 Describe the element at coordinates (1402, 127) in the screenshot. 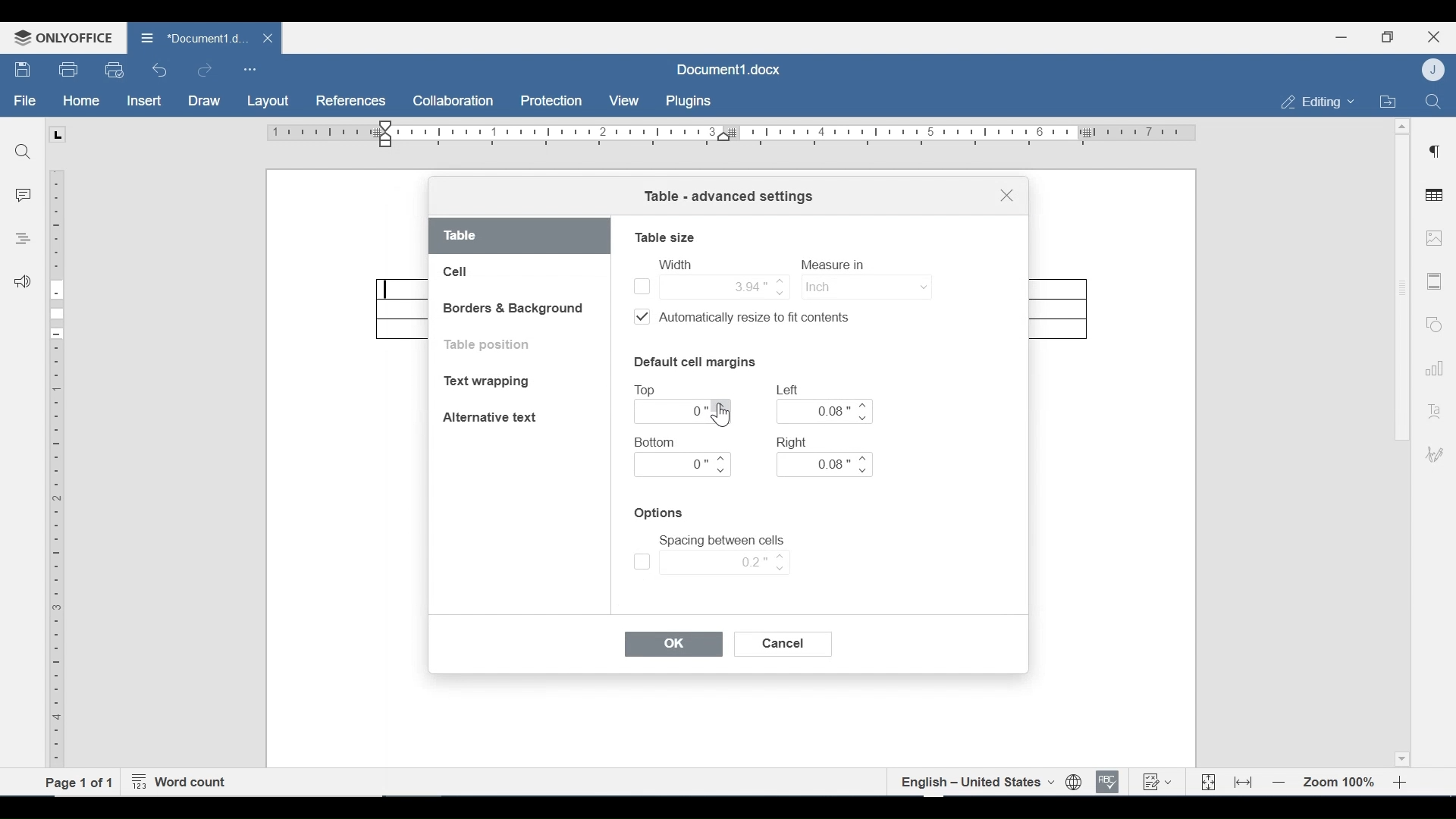

I see `Scroll up` at that location.